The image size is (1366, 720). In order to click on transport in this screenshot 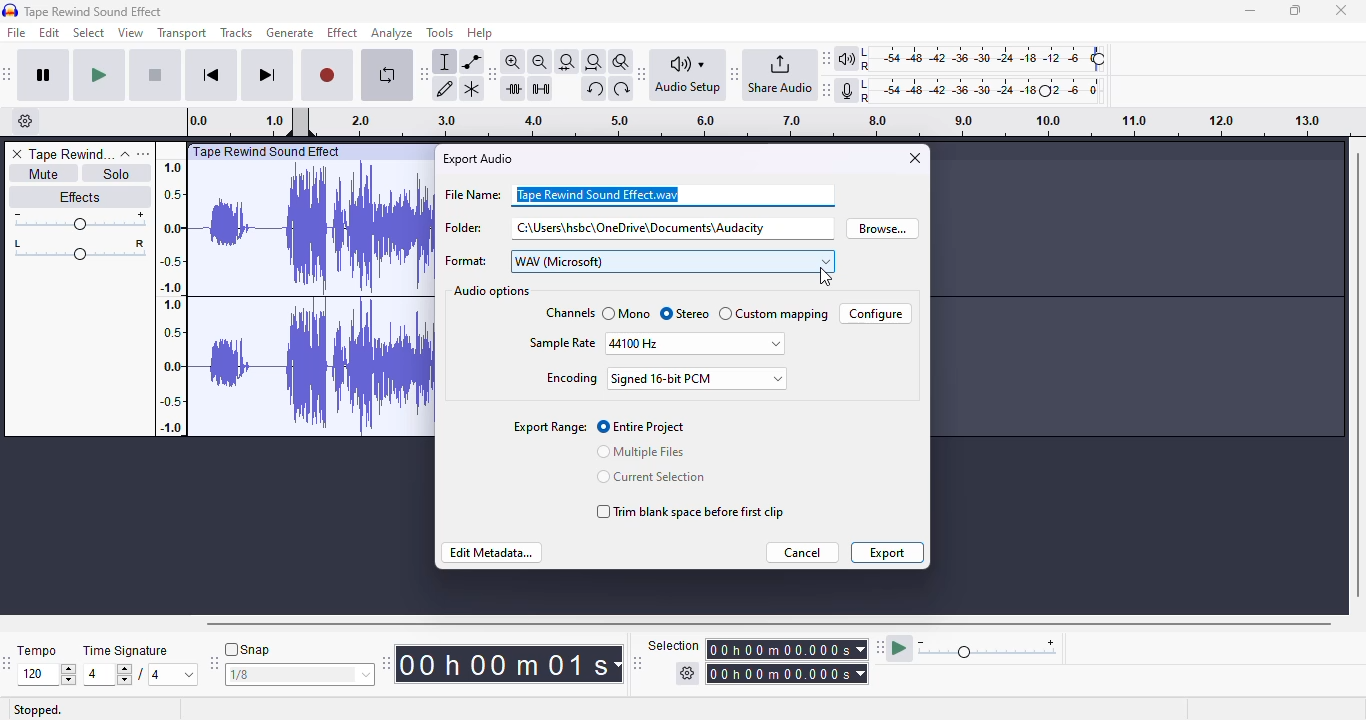, I will do `click(183, 33)`.